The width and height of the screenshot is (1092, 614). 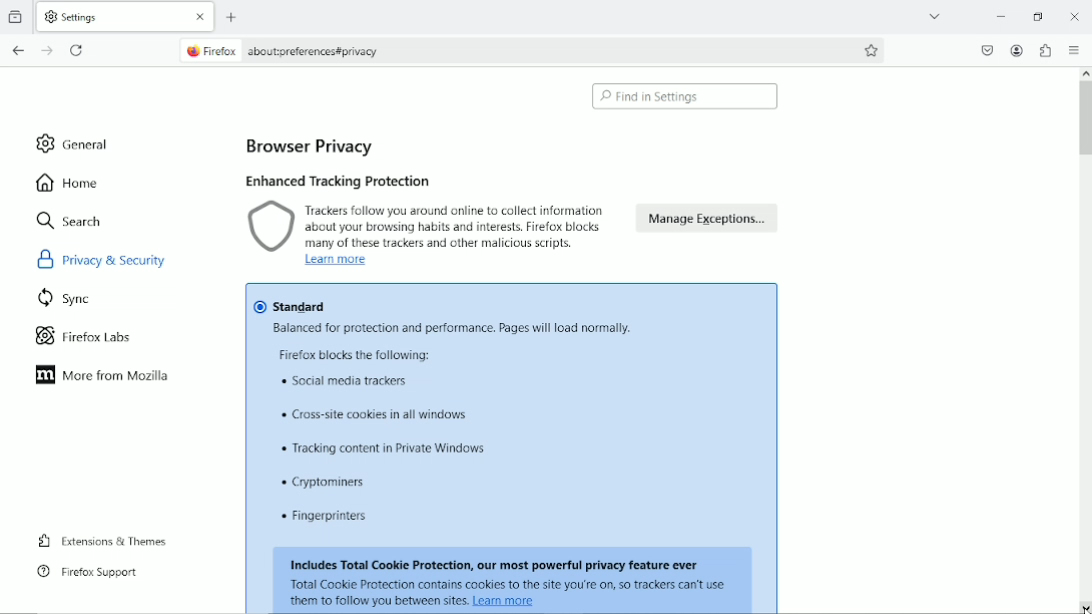 What do you see at coordinates (103, 375) in the screenshot?
I see `more from mozilla` at bounding box center [103, 375].